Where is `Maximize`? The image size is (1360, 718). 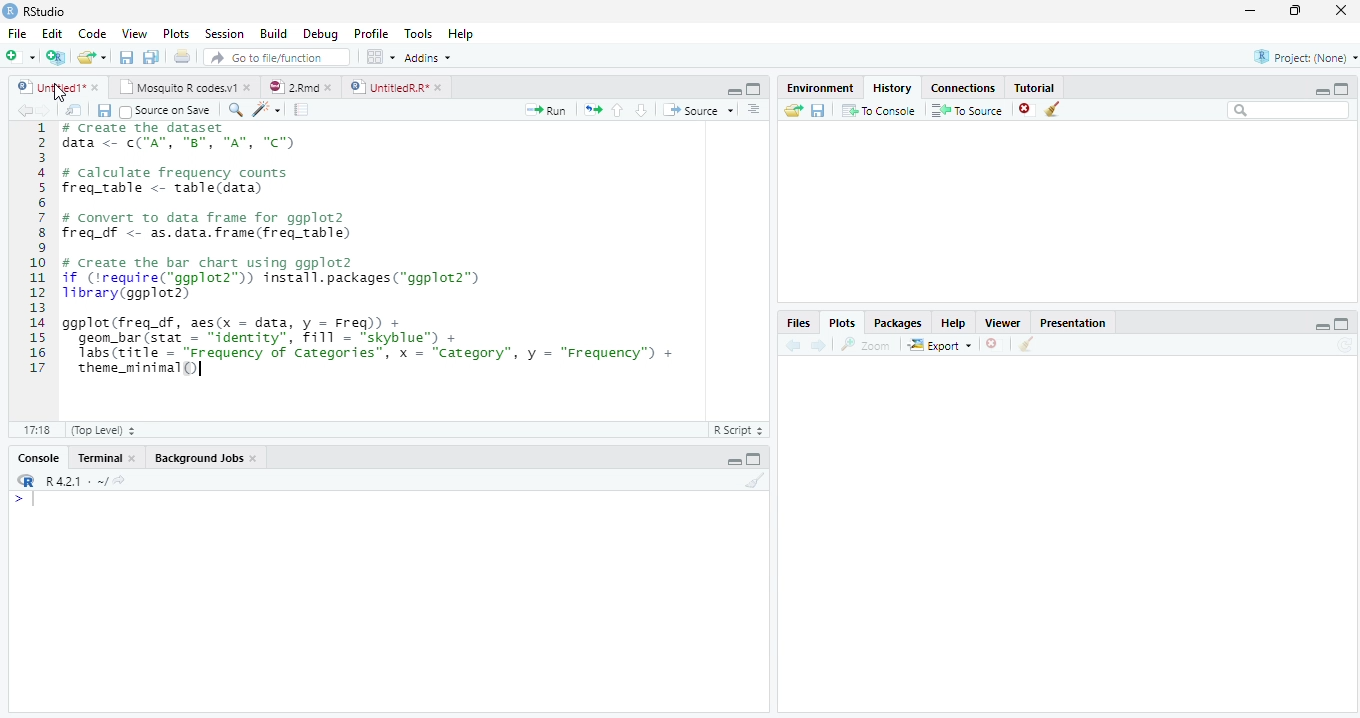 Maximize is located at coordinates (1343, 88).